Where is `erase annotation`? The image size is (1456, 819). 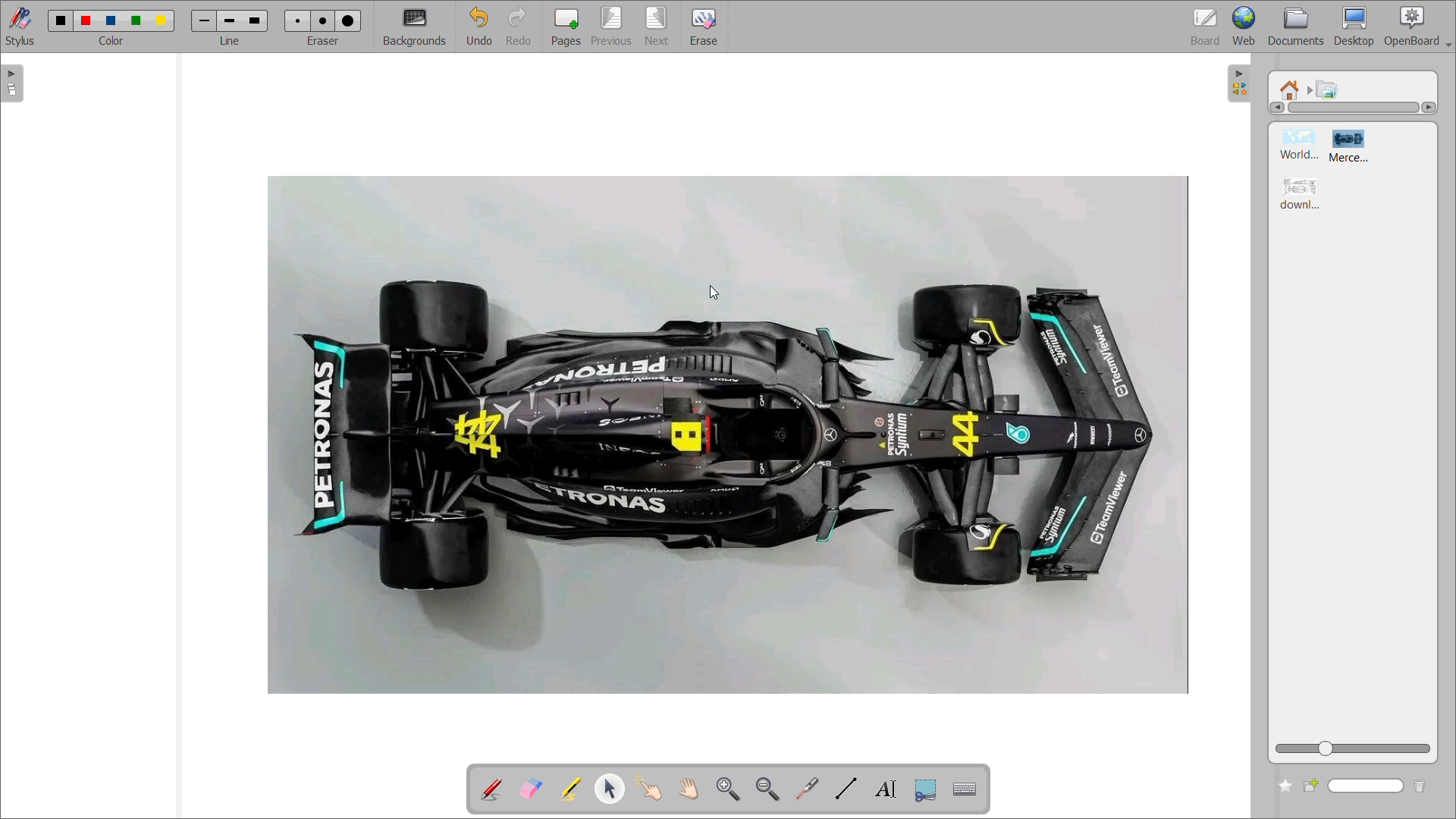
erase annotation is located at coordinates (530, 789).